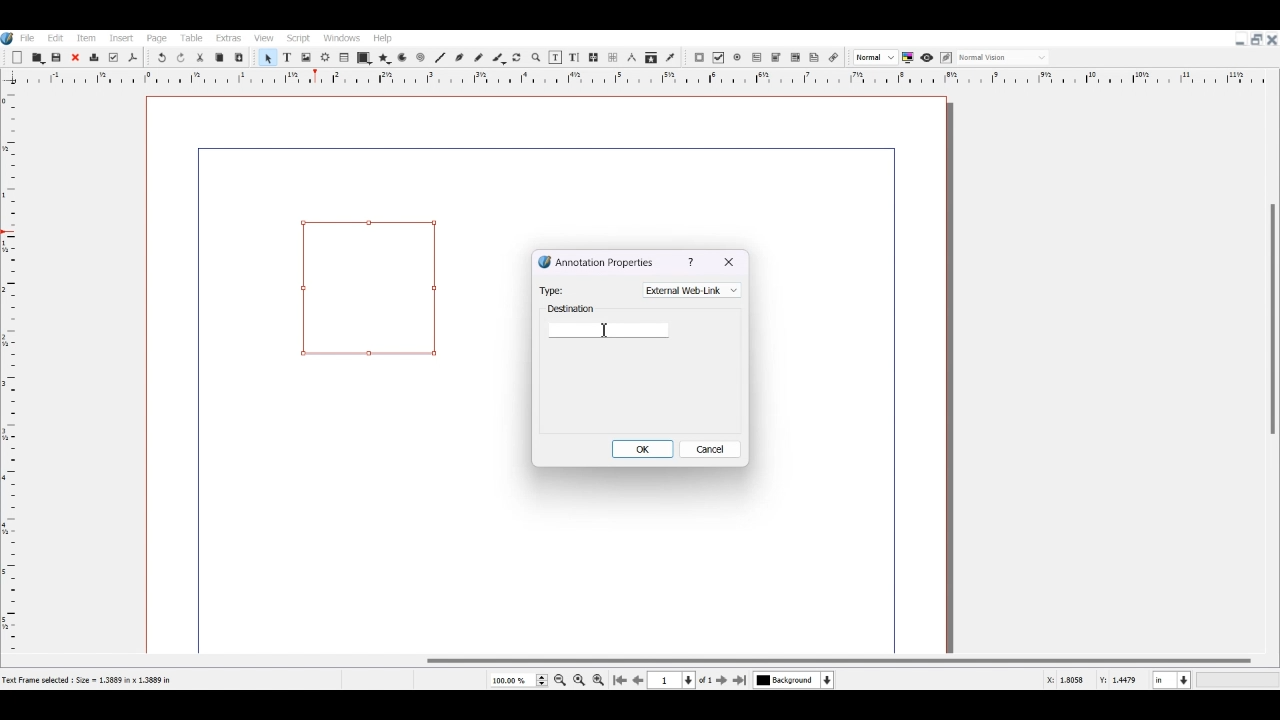 The image size is (1280, 720). I want to click on External Web Link, so click(692, 290).